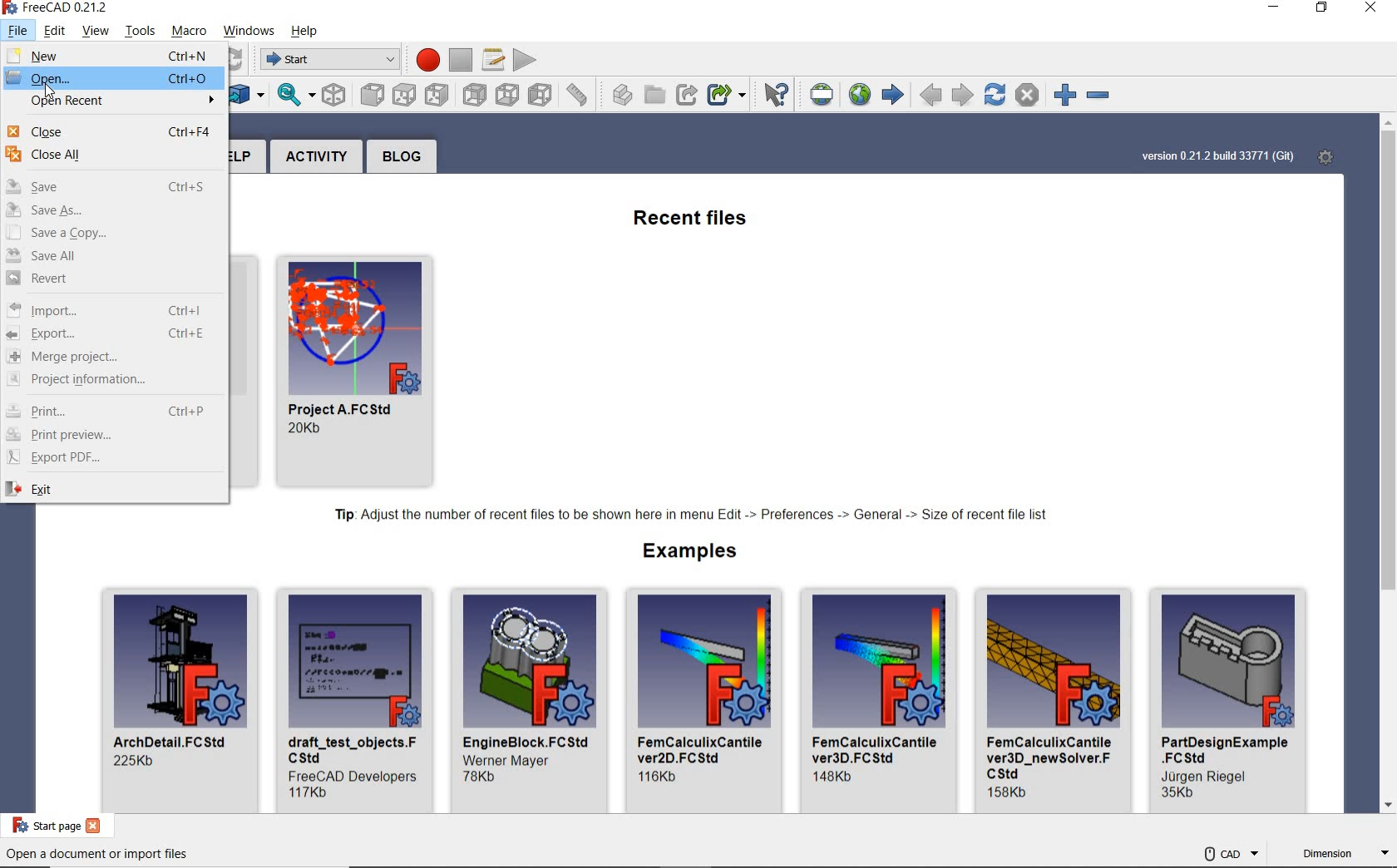  What do you see at coordinates (109, 358) in the screenshot?
I see `MERGE PROJECT` at bounding box center [109, 358].